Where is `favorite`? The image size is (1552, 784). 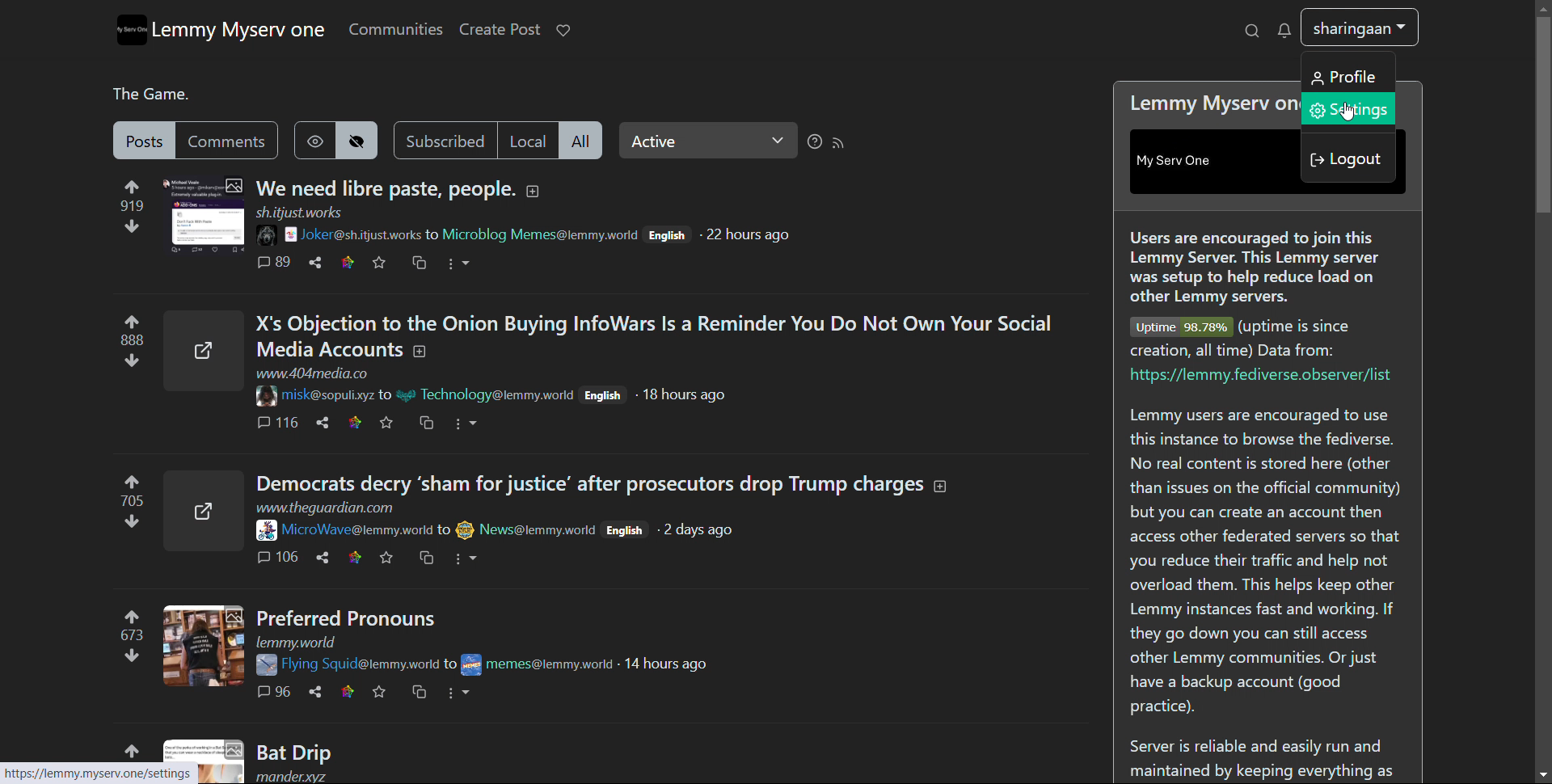
favorite is located at coordinates (388, 424).